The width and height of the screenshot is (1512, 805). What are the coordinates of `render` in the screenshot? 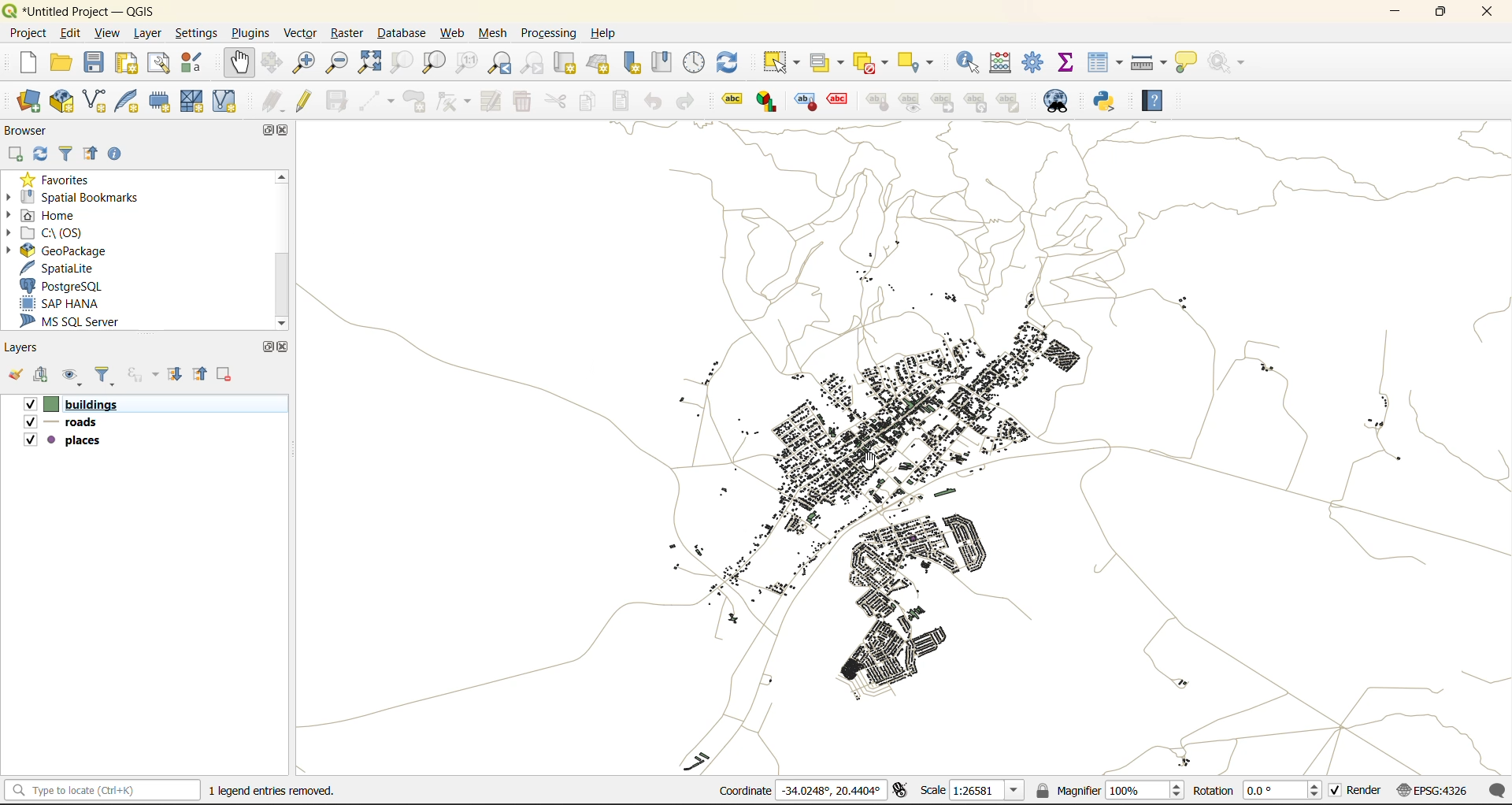 It's located at (1357, 792).